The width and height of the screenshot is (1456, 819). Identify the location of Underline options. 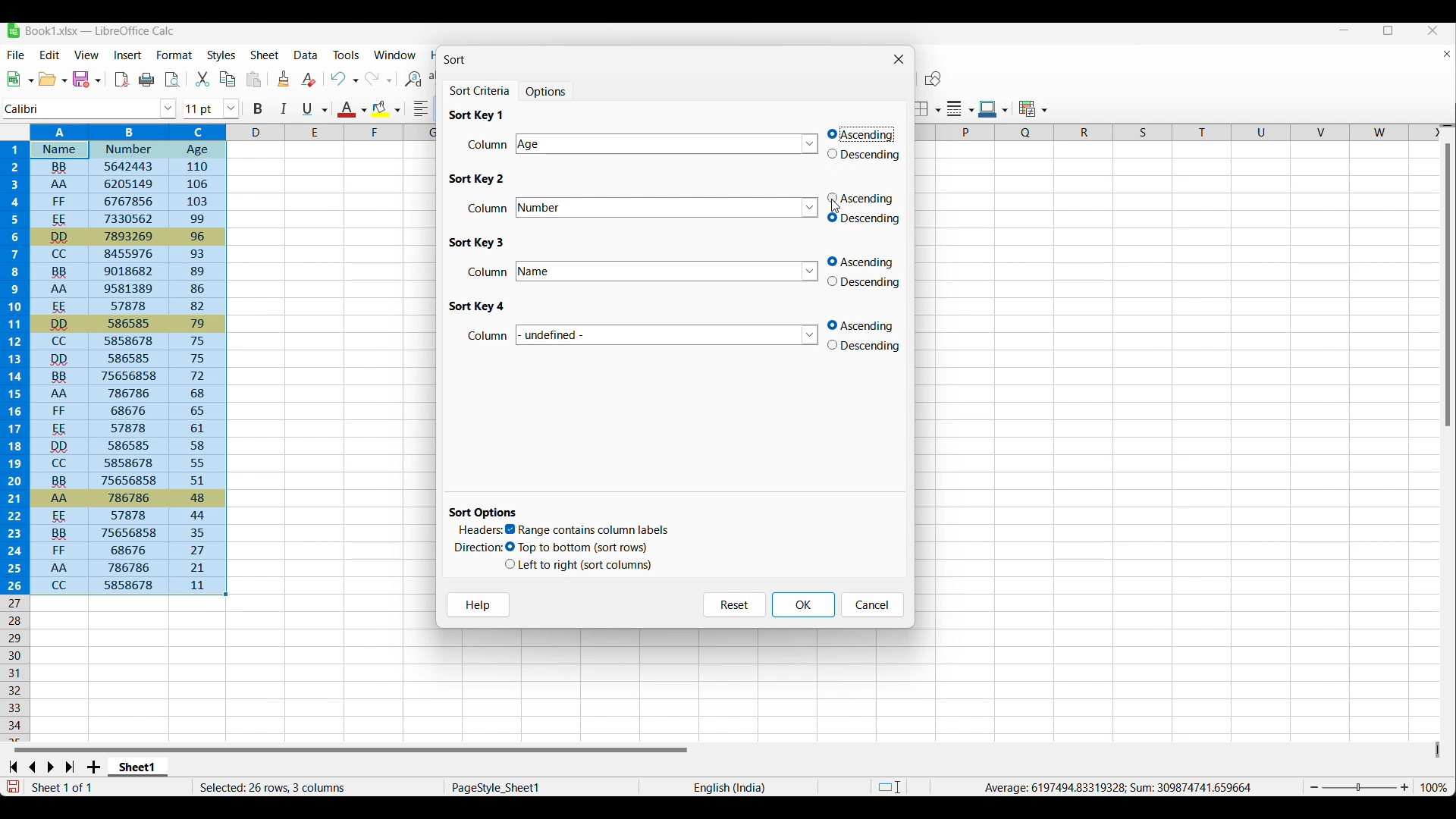
(315, 109).